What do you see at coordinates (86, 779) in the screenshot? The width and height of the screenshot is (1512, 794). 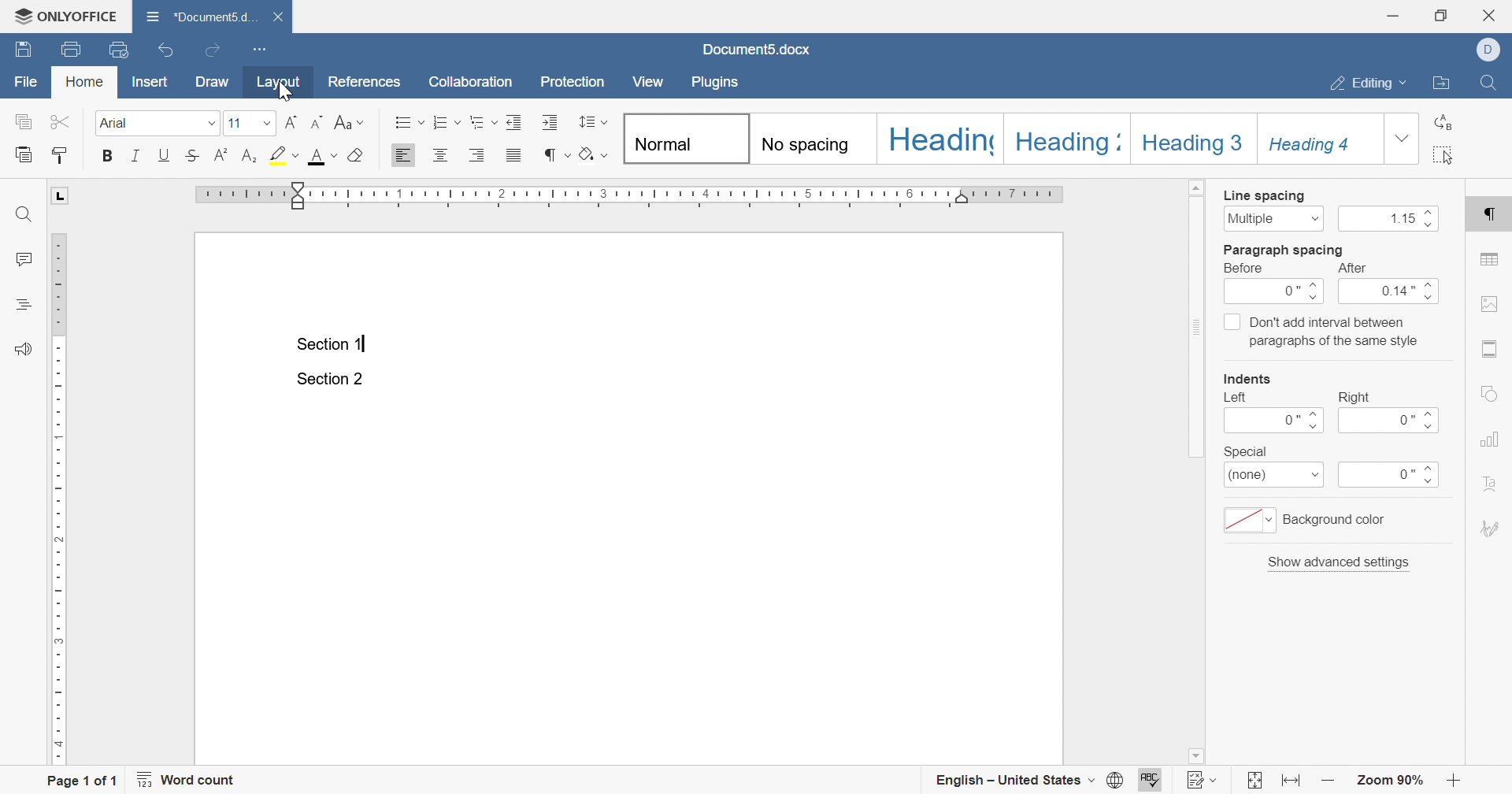 I see `page 1 of 1` at bounding box center [86, 779].